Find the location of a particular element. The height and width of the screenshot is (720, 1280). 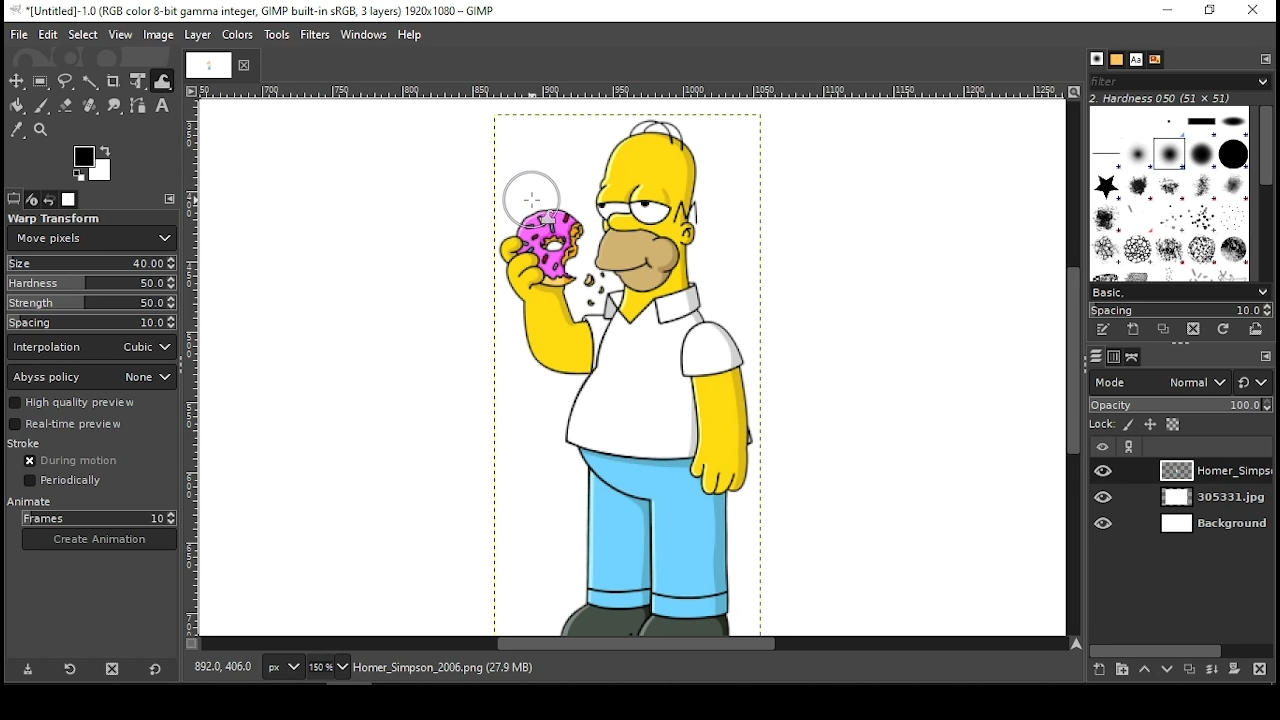

patterns is located at coordinates (1117, 60).